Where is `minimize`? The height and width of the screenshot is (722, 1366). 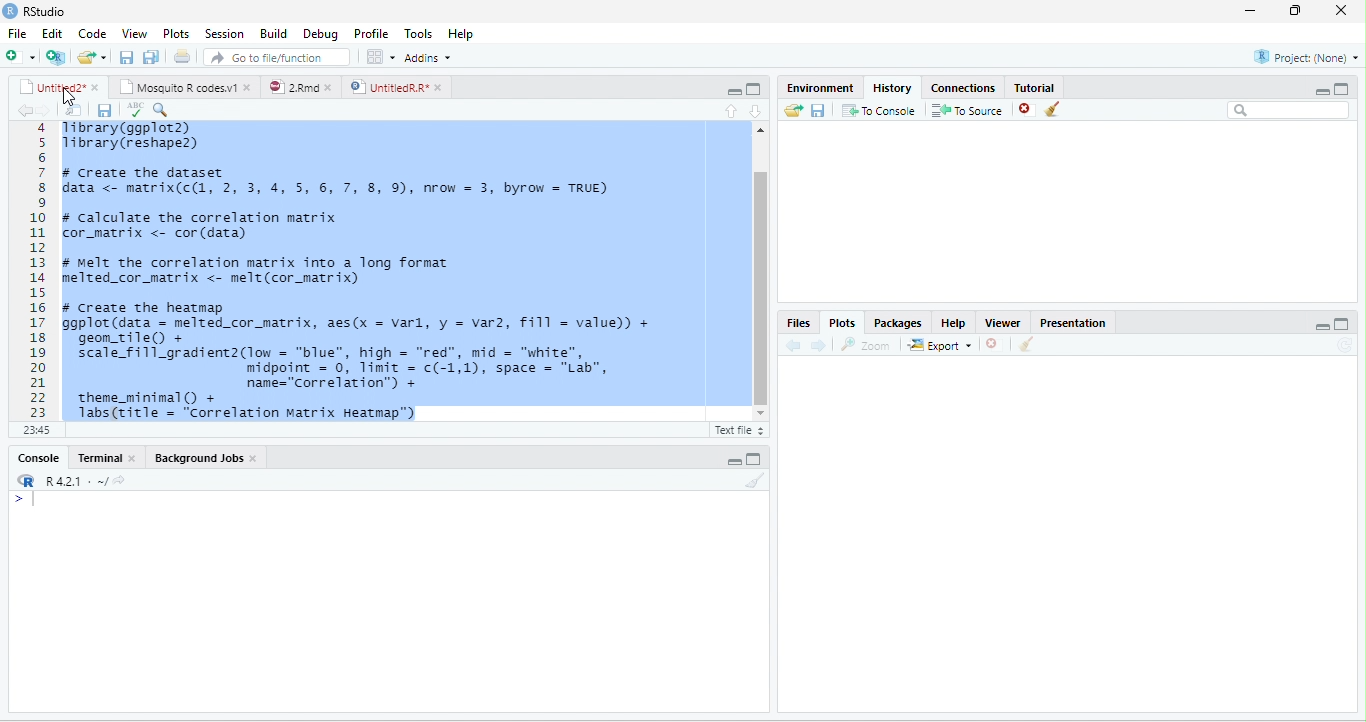
minimize is located at coordinates (1248, 11).